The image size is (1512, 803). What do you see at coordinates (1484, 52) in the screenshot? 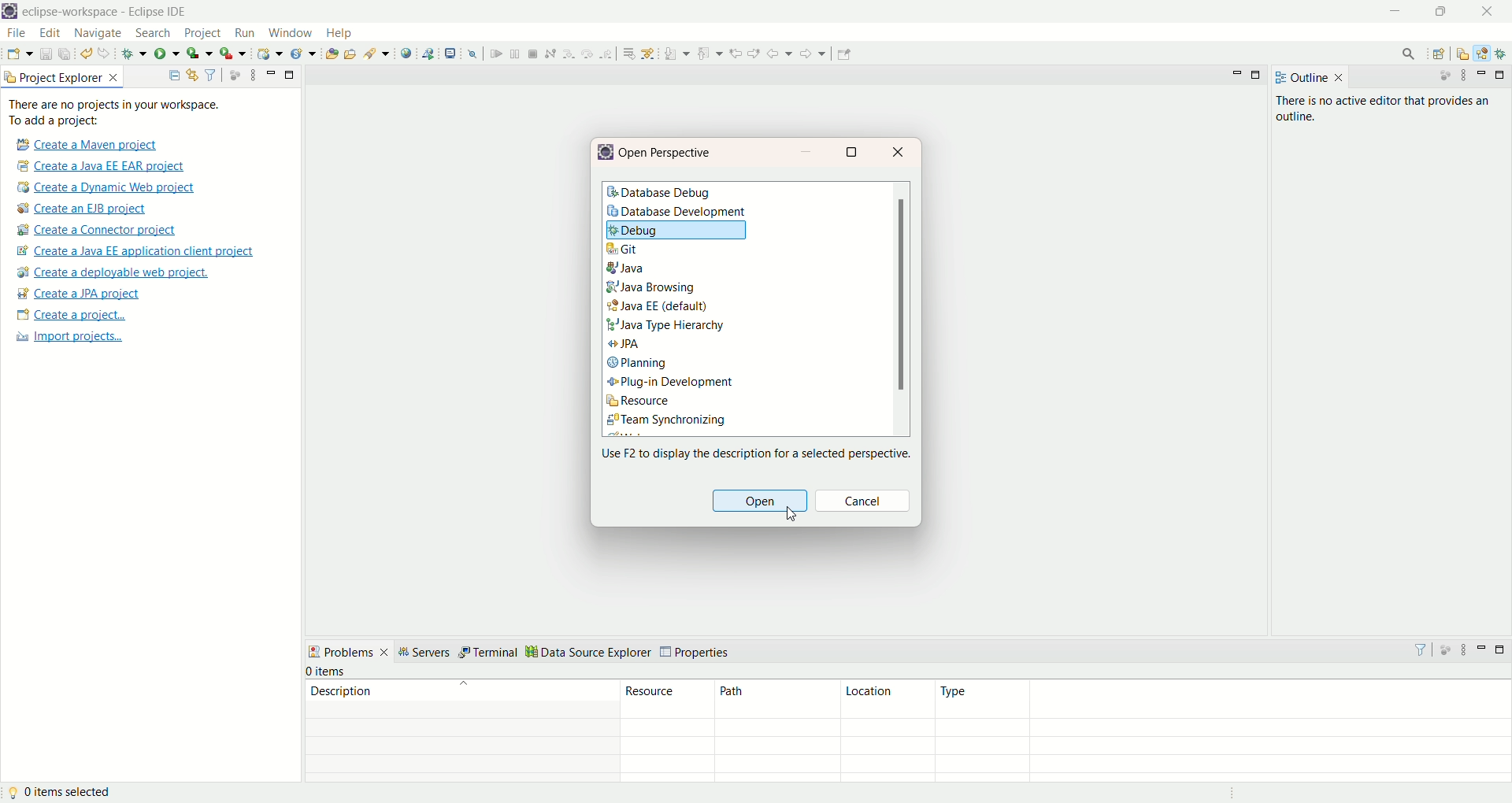
I see `java EE` at bounding box center [1484, 52].